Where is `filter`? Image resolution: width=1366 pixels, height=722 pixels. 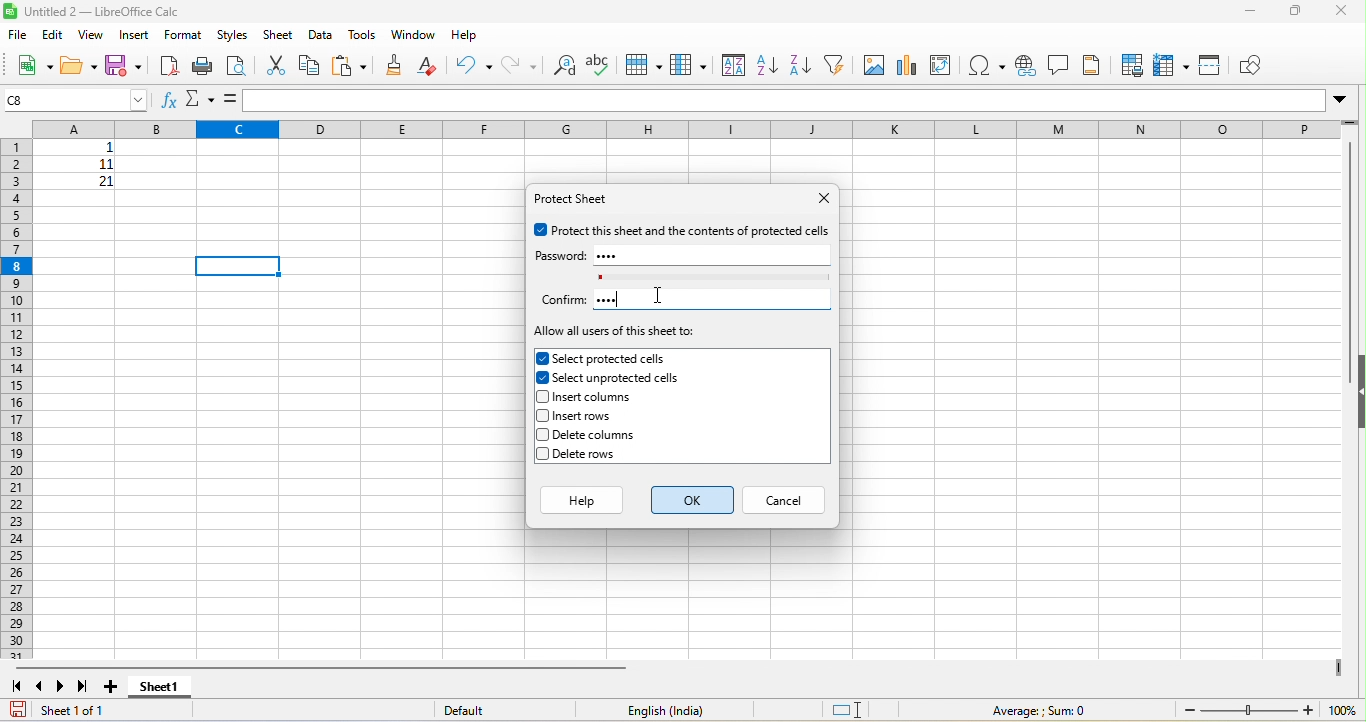 filter is located at coordinates (833, 64).